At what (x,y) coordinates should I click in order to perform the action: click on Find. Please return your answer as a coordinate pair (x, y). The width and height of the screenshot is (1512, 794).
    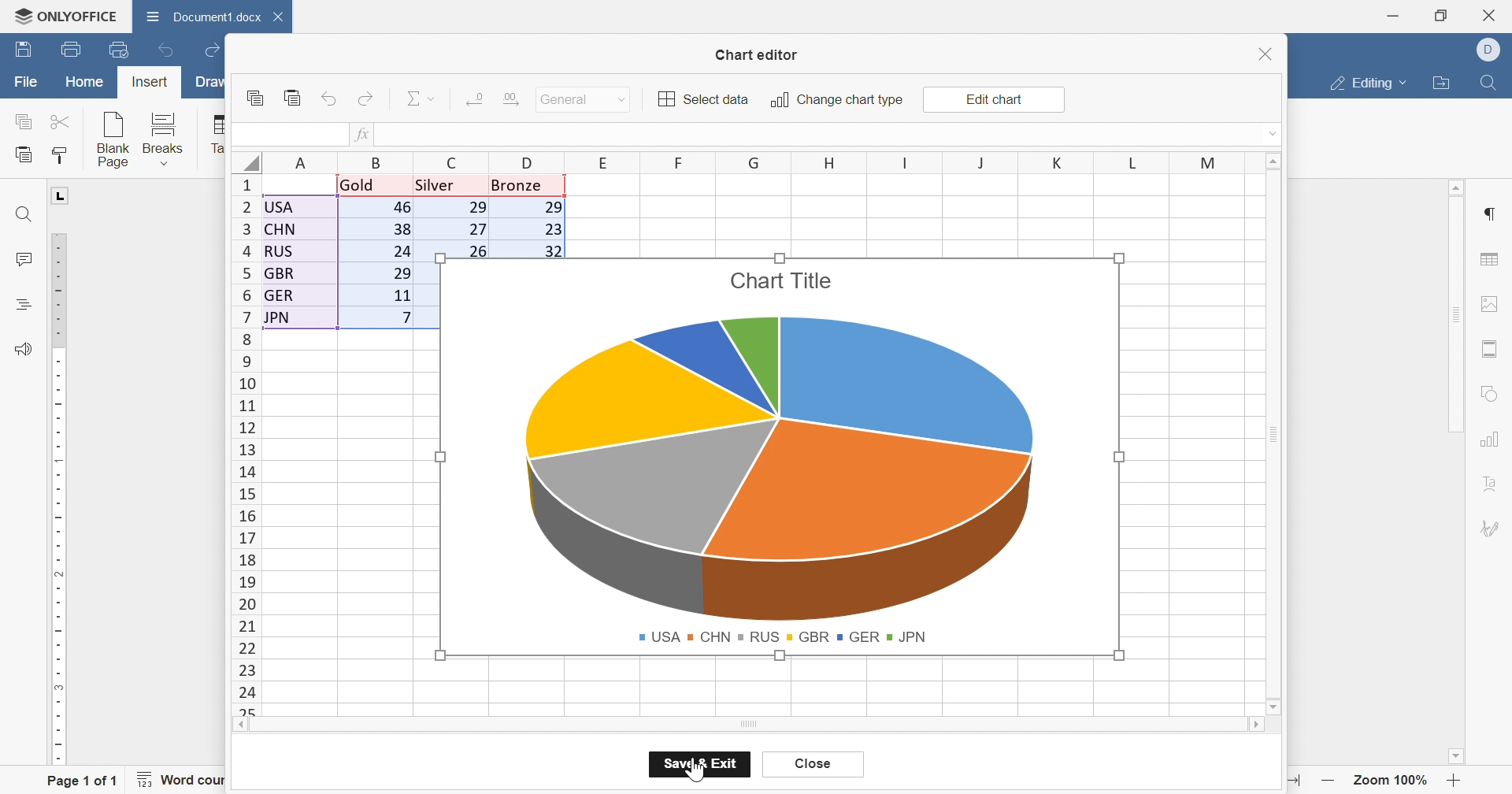
    Looking at the image, I should click on (24, 214).